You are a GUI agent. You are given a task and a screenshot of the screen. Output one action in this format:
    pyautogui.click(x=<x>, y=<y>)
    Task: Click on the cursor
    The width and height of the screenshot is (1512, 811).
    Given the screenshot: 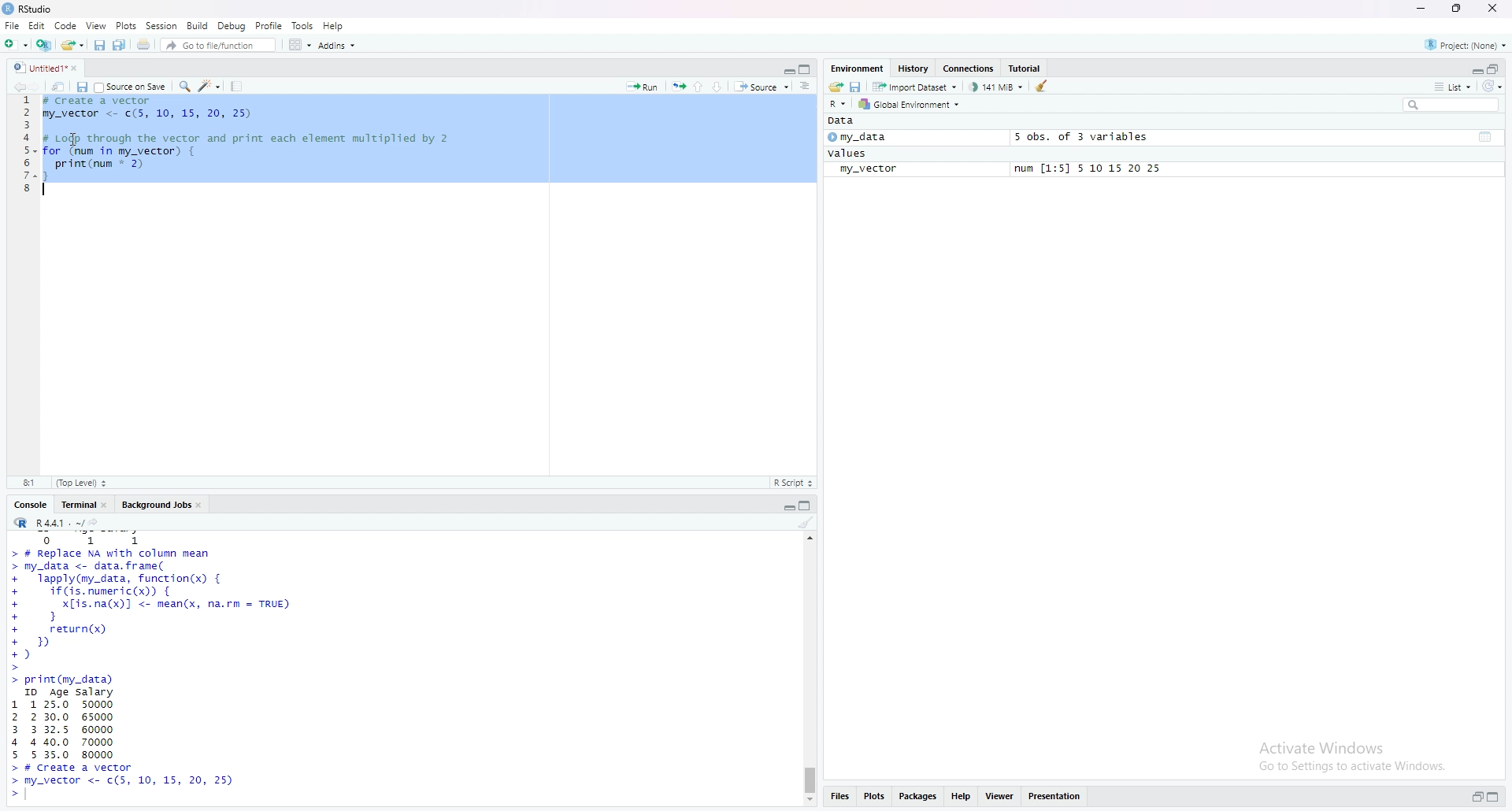 What is the action you would take?
    pyautogui.click(x=72, y=139)
    